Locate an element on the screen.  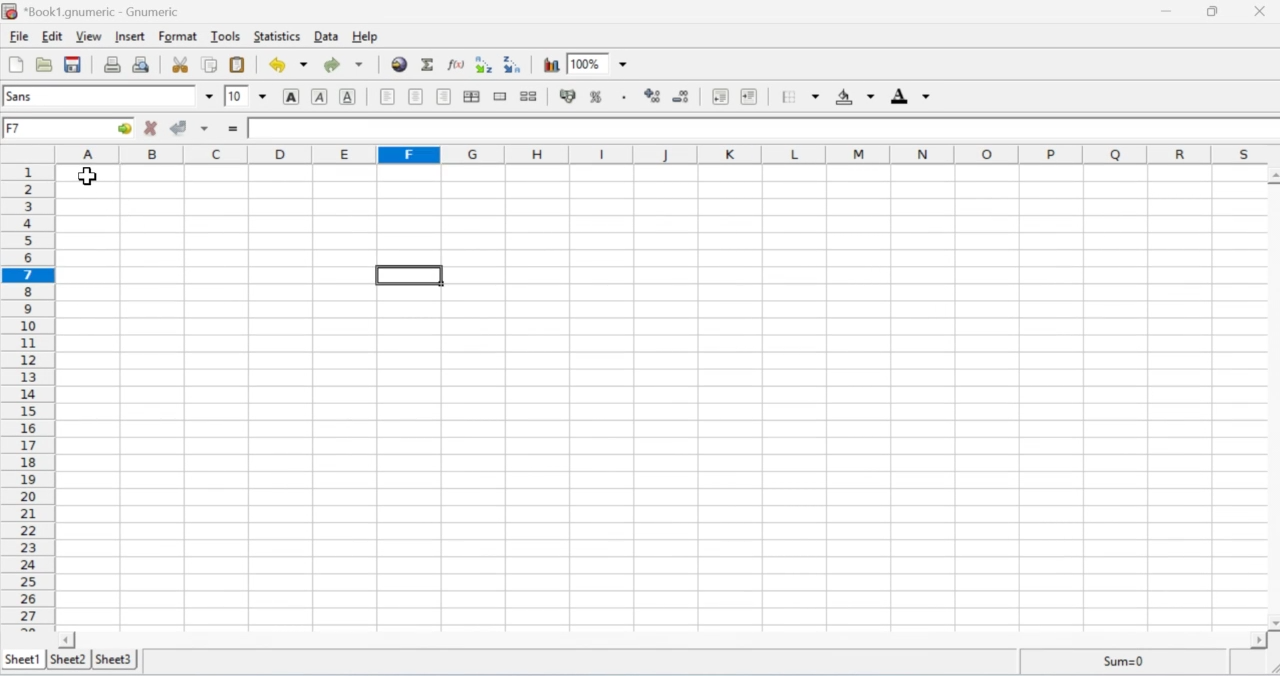
Sheet 2 is located at coordinates (70, 659).